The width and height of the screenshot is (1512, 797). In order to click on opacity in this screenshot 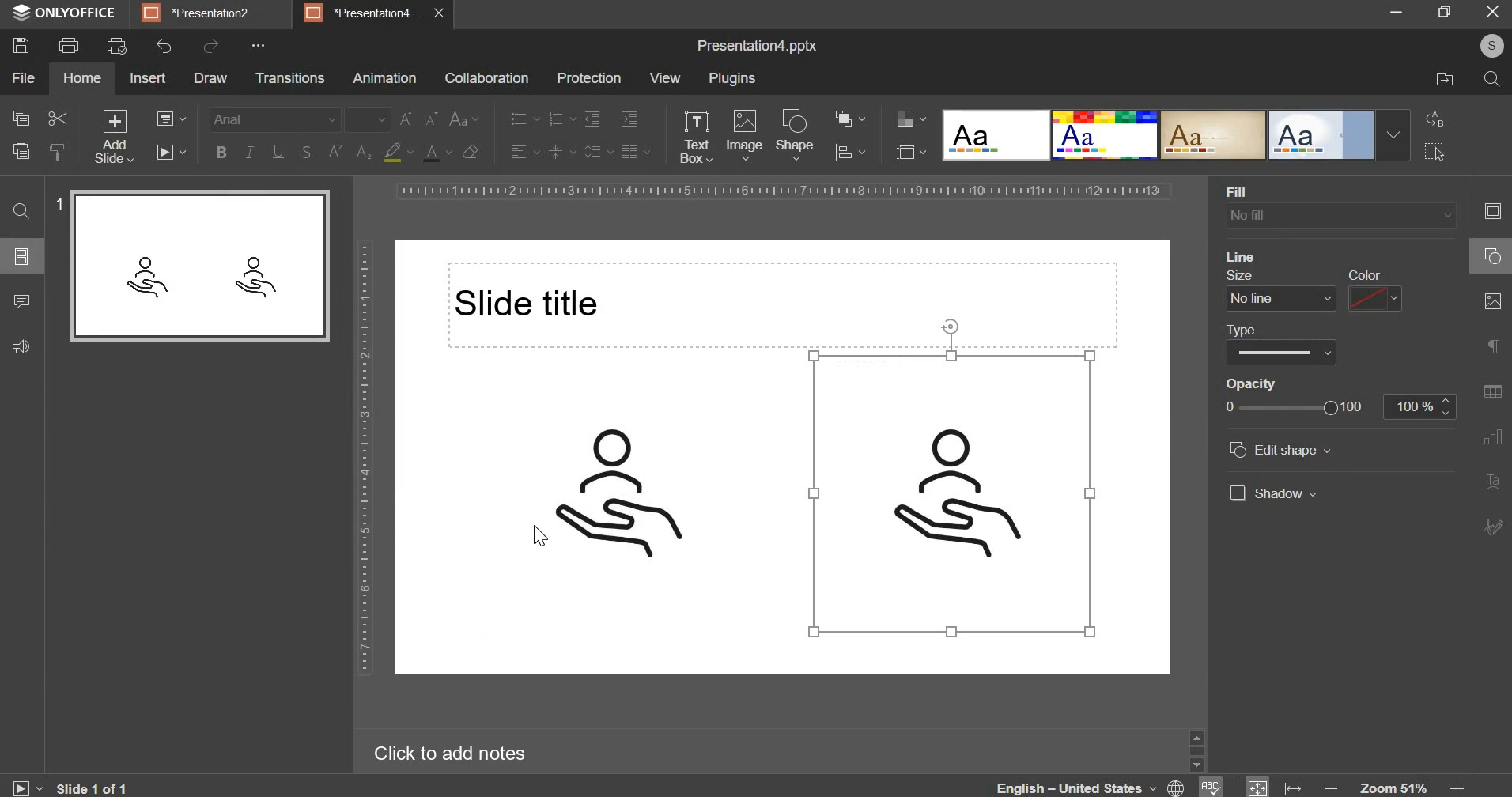, I will do `click(1254, 385)`.